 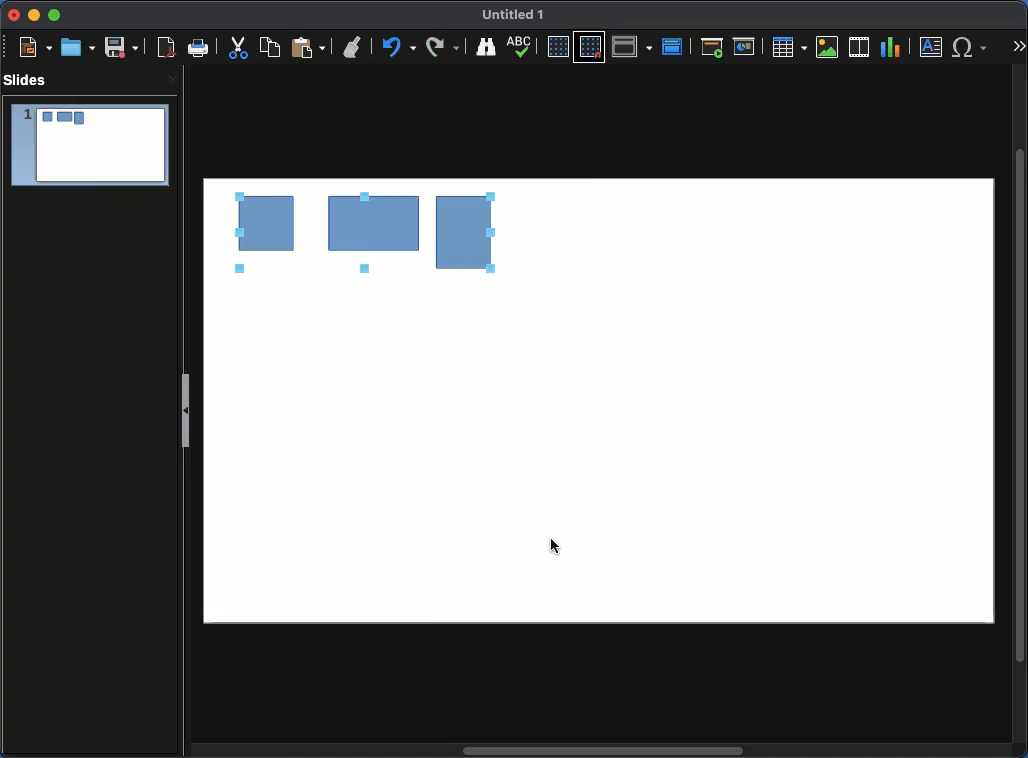 What do you see at coordinates (712, 47) in the screenshot?
I see `Start from first slide` at bounding box center [712, 47].